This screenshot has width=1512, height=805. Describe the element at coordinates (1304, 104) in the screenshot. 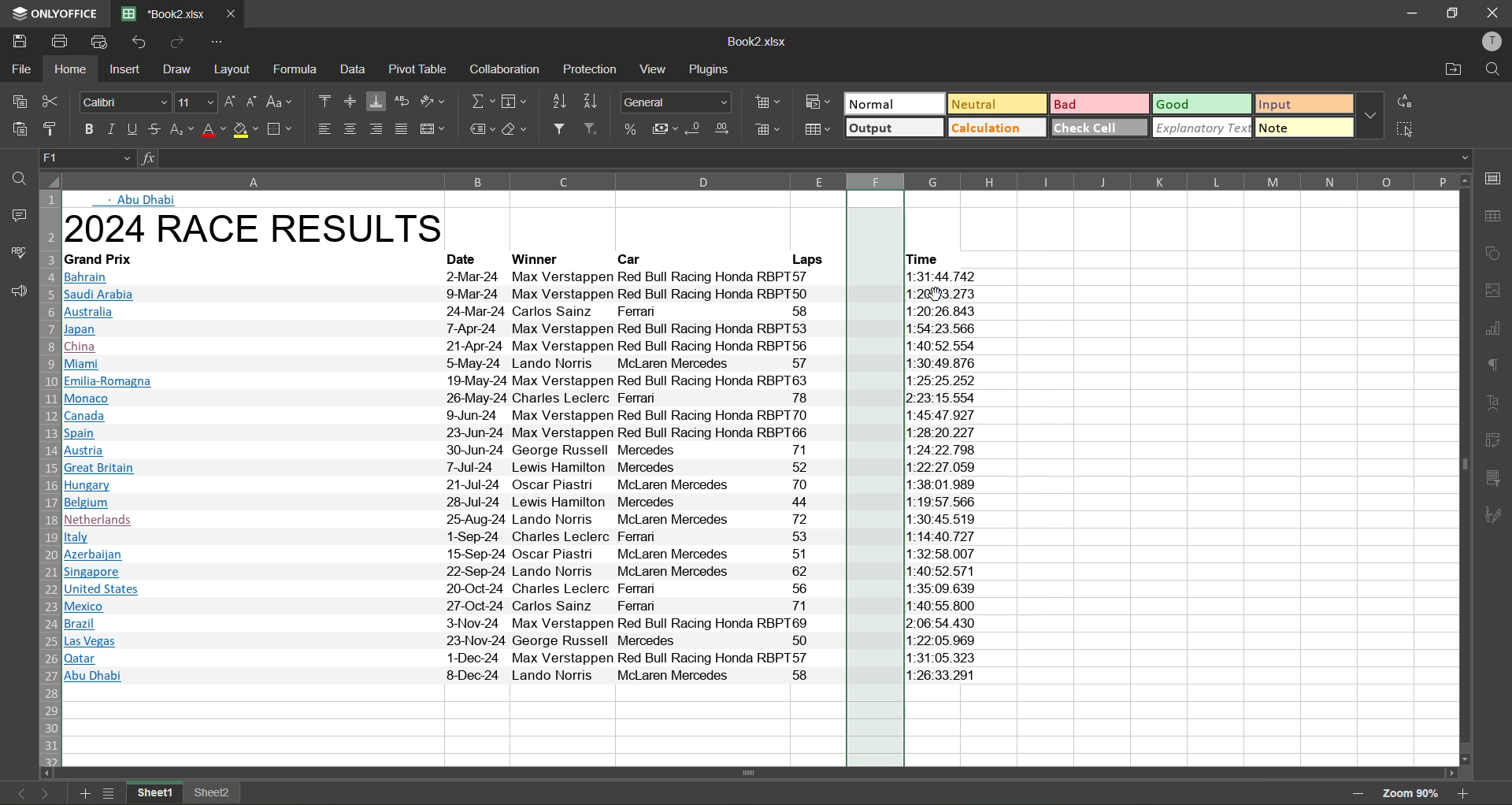

I see `input` at that location.